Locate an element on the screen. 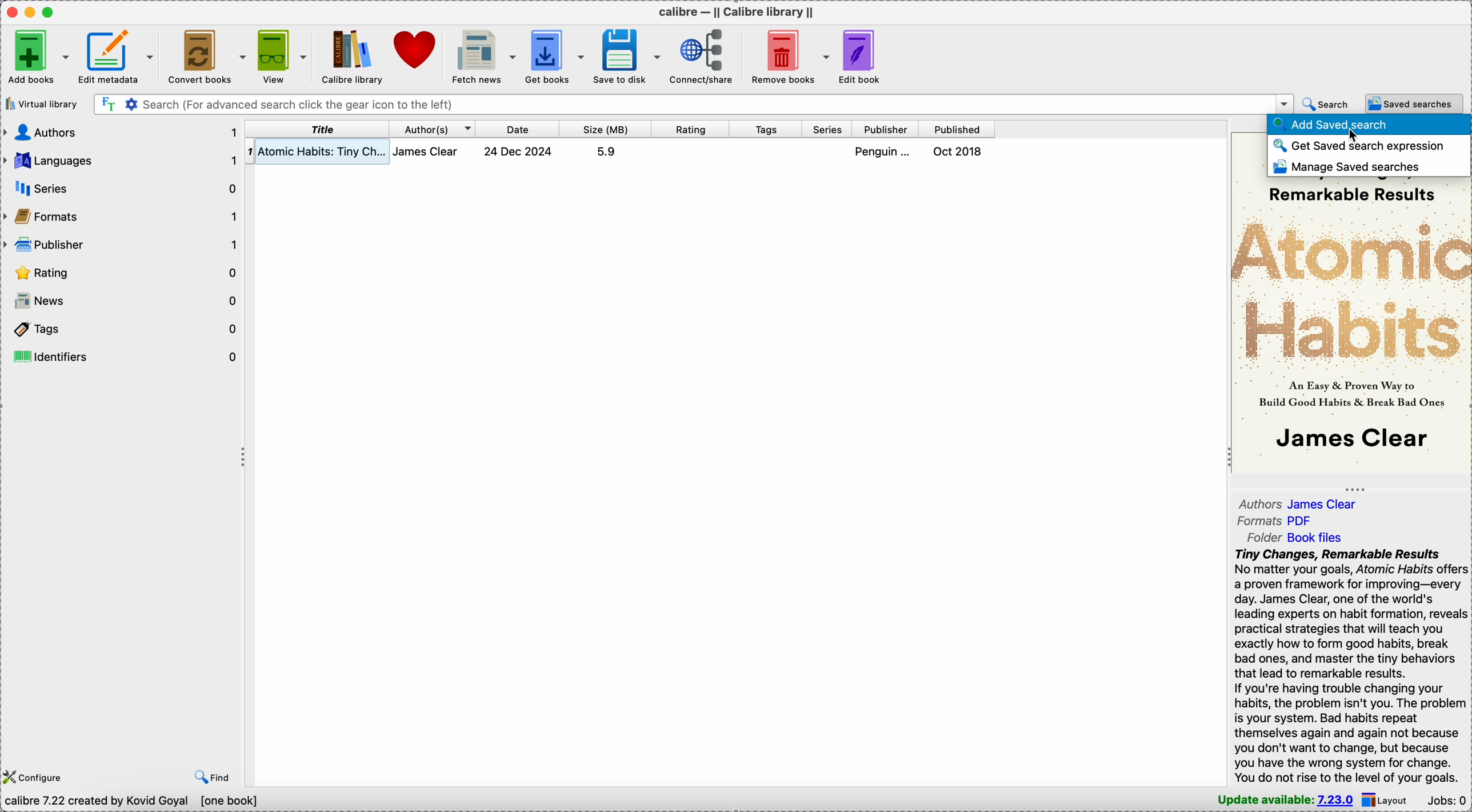 The height and width of the screenshot is (812, 1472). 1 - index number is located at coordinates (250, 151).